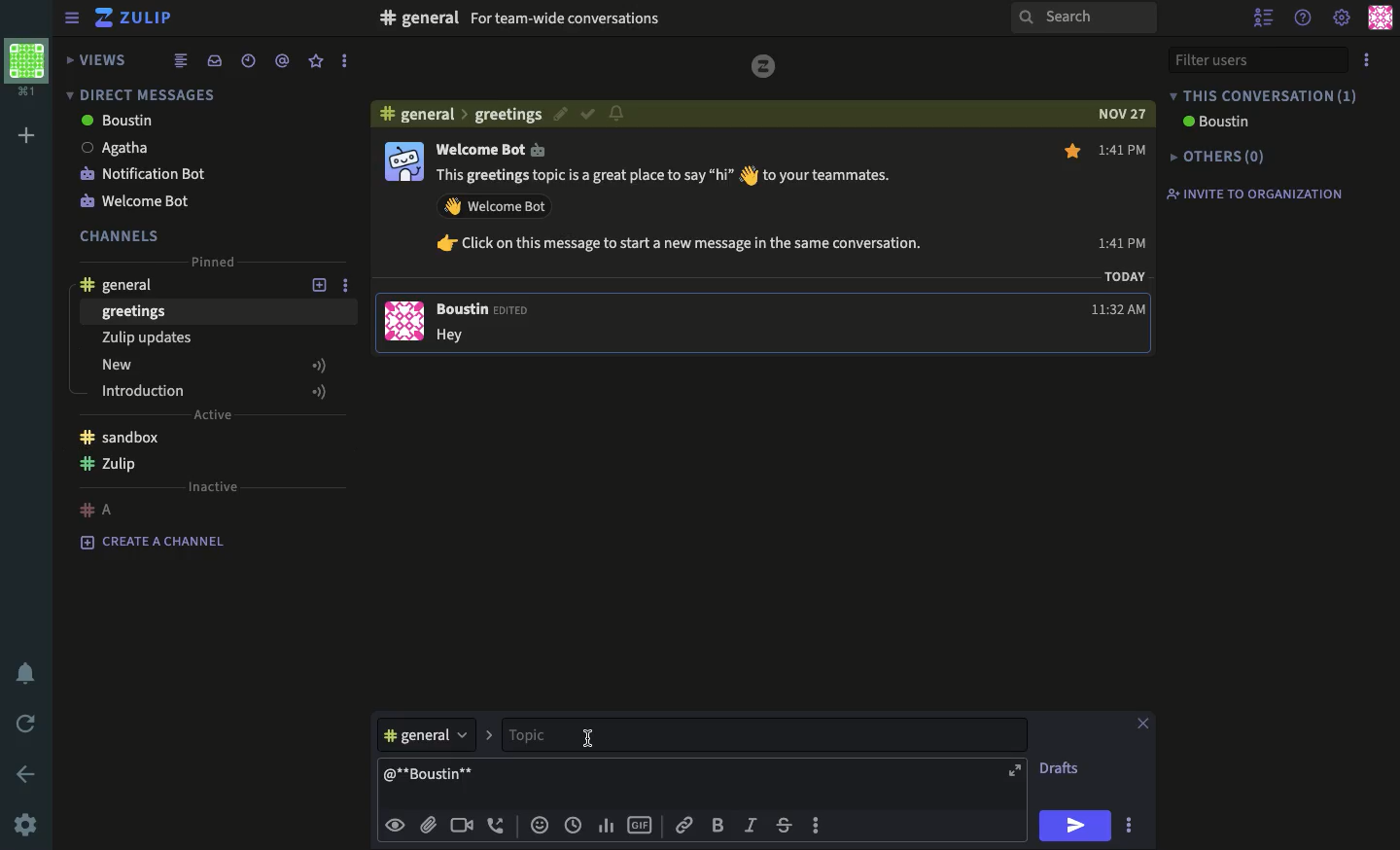 Image resolution: width=1400 pixels, height=850 pixels. I want to click on TODAY, so click(1125, 275).